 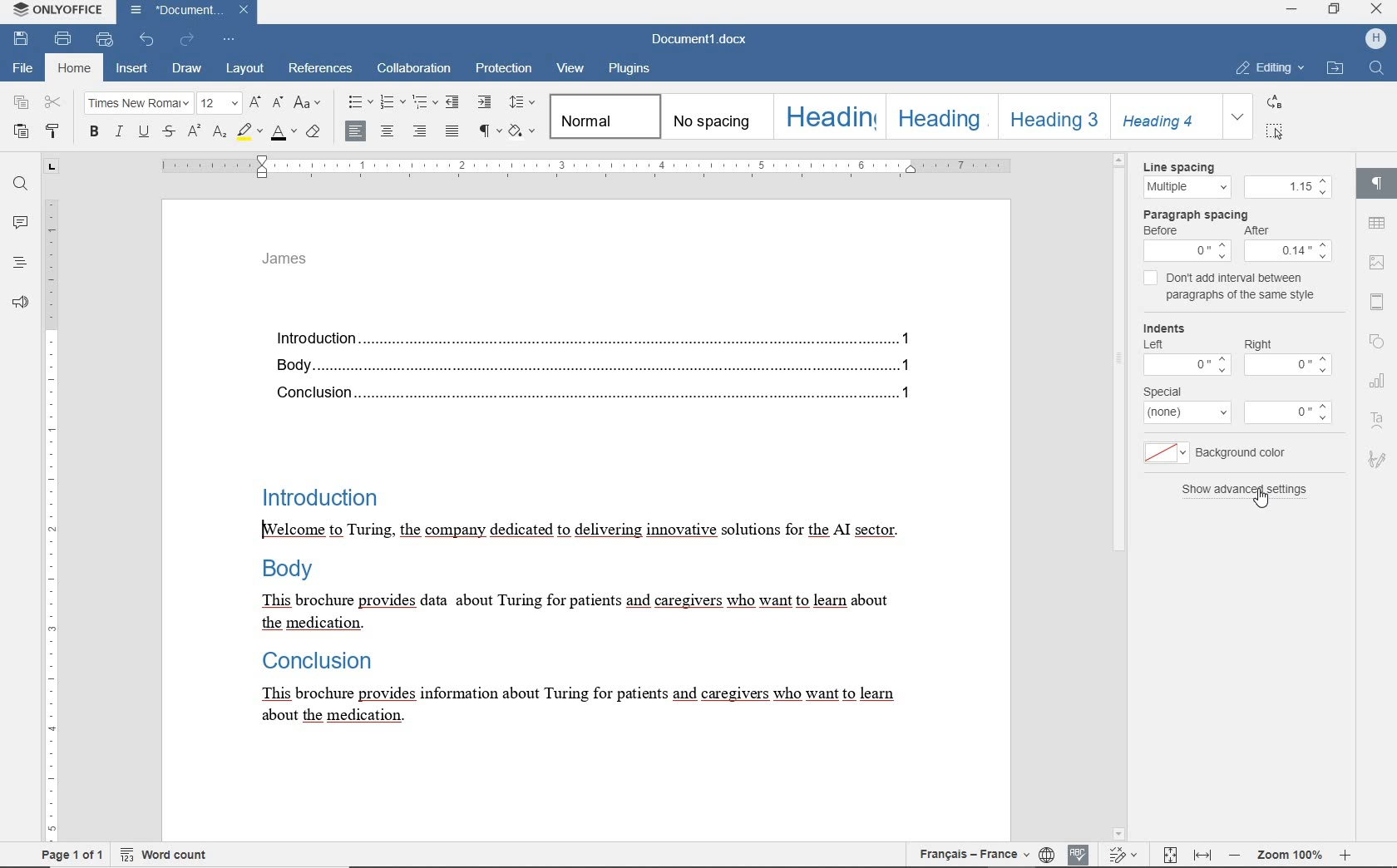 What do you see at coordinates (453, 102) in the screenshot?
I see `decrease indent` at bounding box center [453, 102].